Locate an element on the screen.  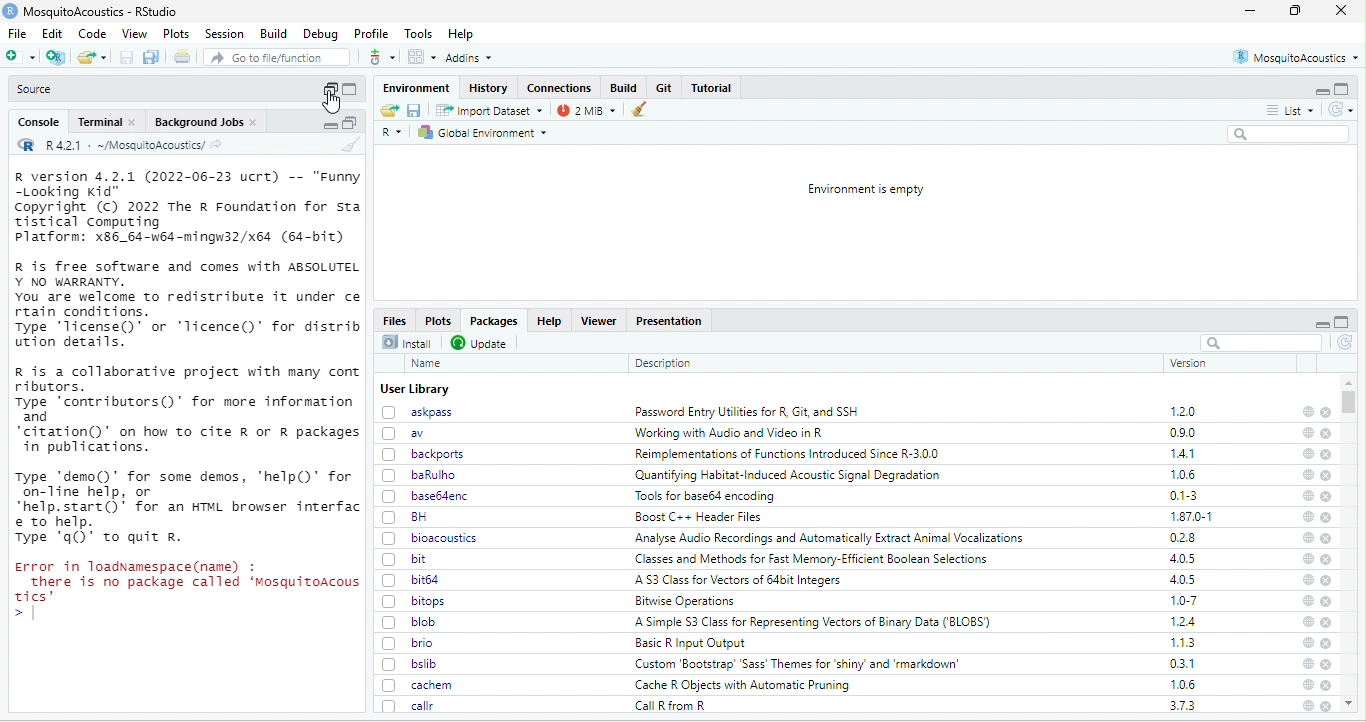
‘Quantifying Habitat-Induced Acoustic Signal Degradation is located at coordinates (788, 475).